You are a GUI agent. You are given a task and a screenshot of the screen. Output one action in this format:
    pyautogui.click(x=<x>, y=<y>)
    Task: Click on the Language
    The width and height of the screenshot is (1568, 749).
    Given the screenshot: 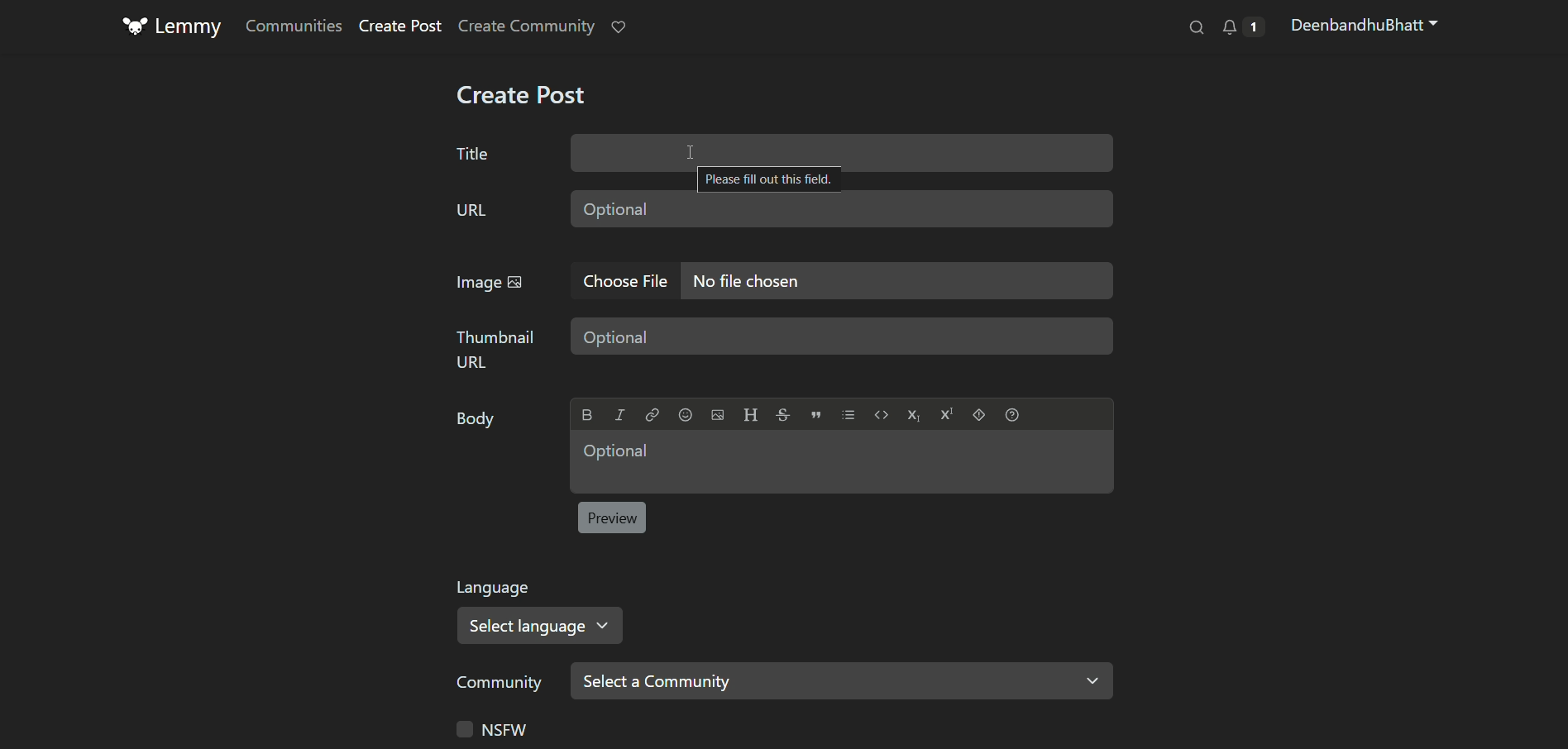 What is the action you would take?
    pyautogui.click(x=499, y=588)
    